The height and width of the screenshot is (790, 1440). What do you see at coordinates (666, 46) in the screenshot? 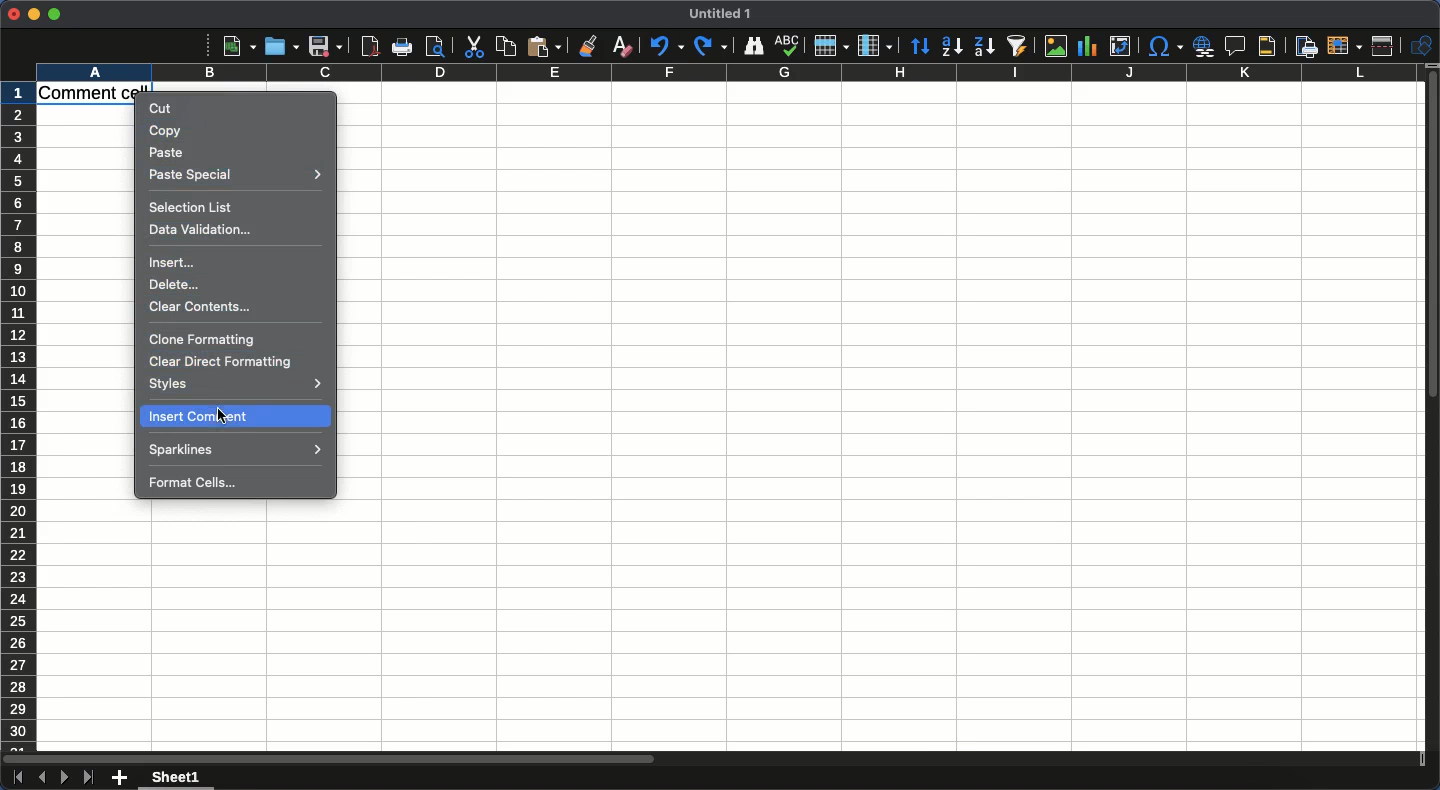
I see `Undo` at bounding box center [666, 46].